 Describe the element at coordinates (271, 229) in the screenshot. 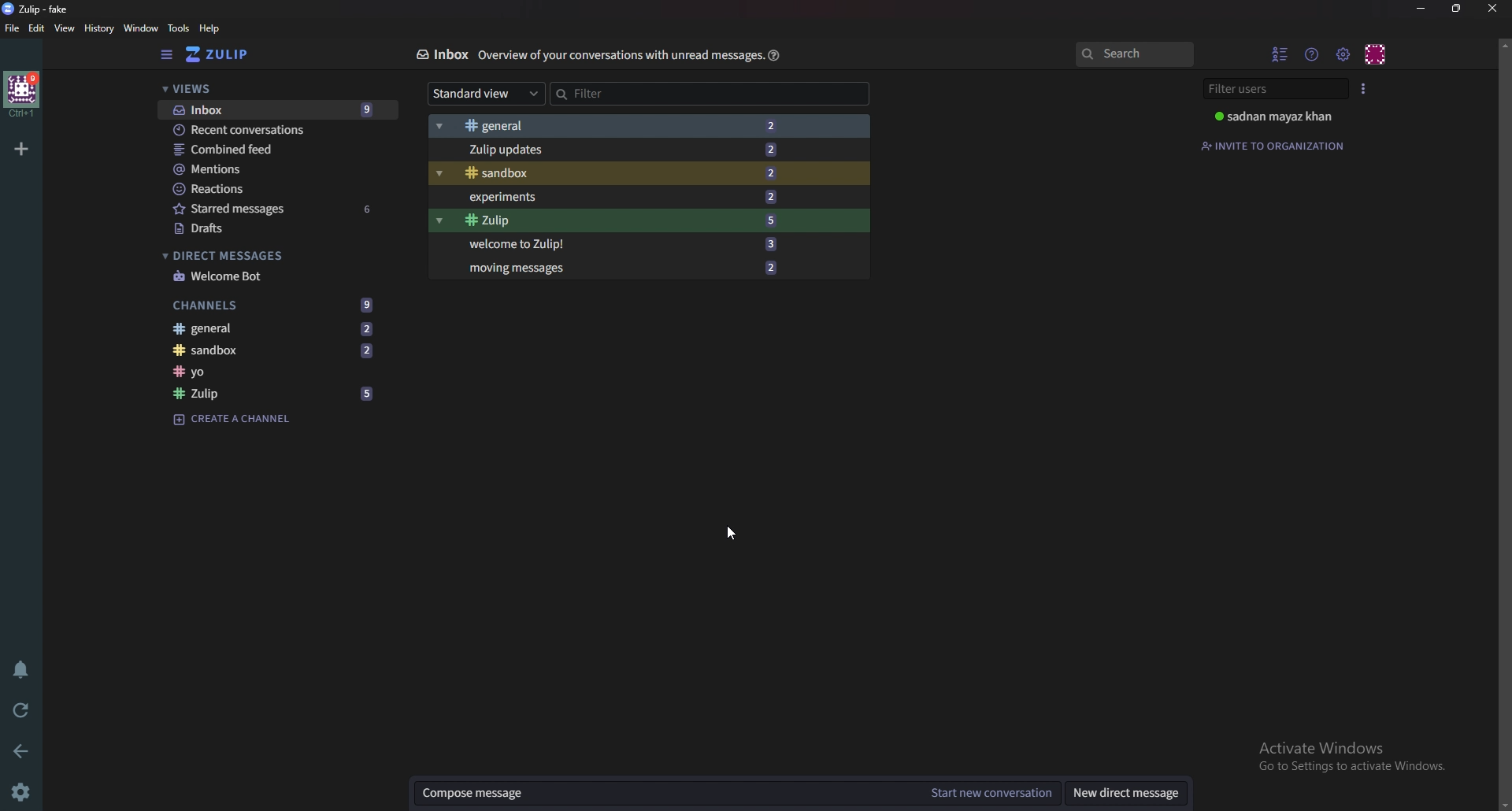

I see `drafts` at that location.